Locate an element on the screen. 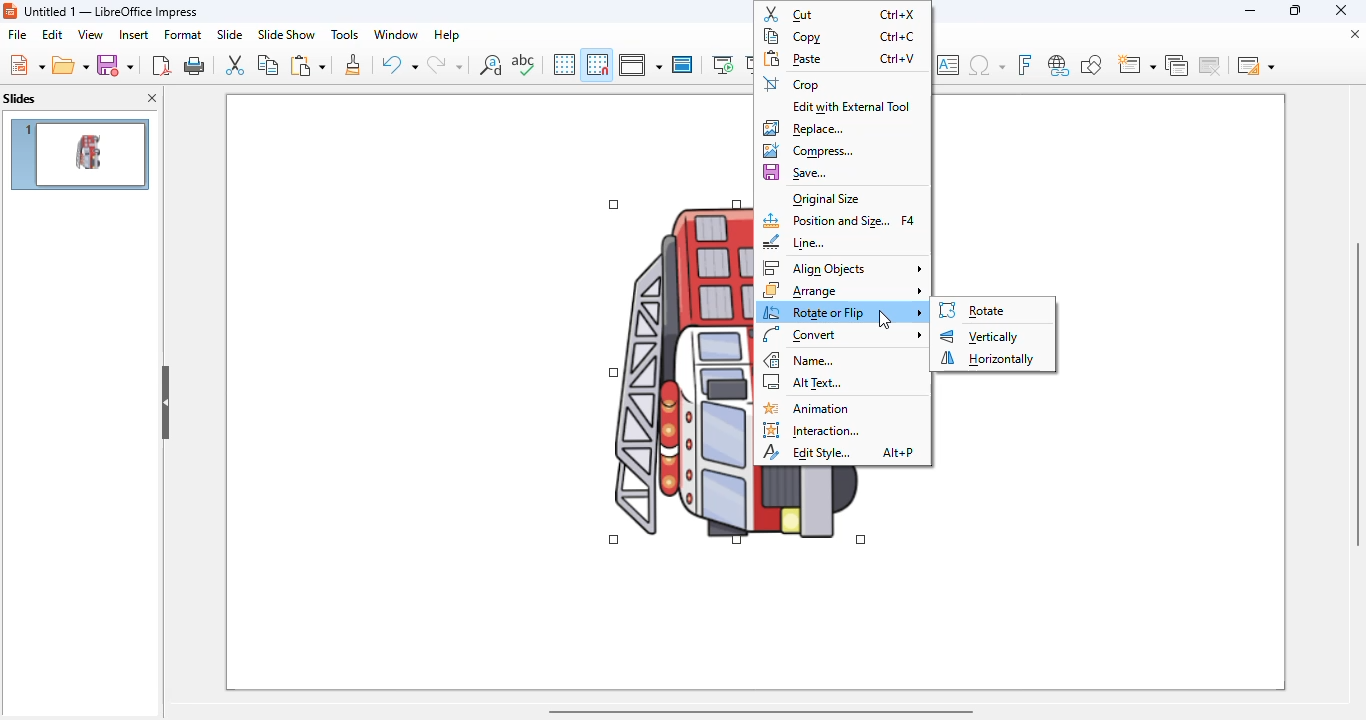 The height and width of the screenshot is (720, 1366). horizontal scroll bar is located at coordinates (762, 712).